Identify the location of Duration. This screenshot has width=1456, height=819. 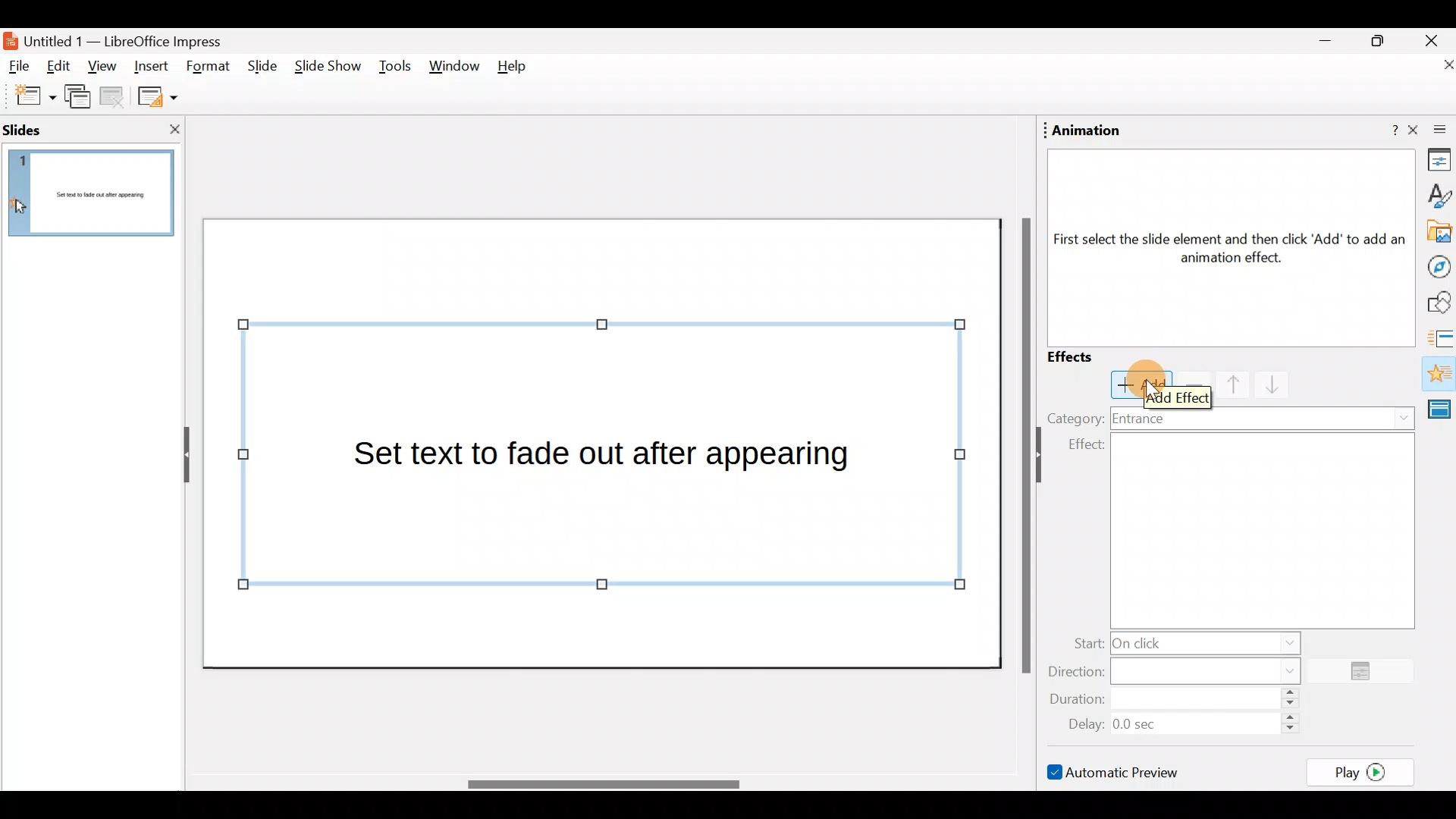
(1179, 700).